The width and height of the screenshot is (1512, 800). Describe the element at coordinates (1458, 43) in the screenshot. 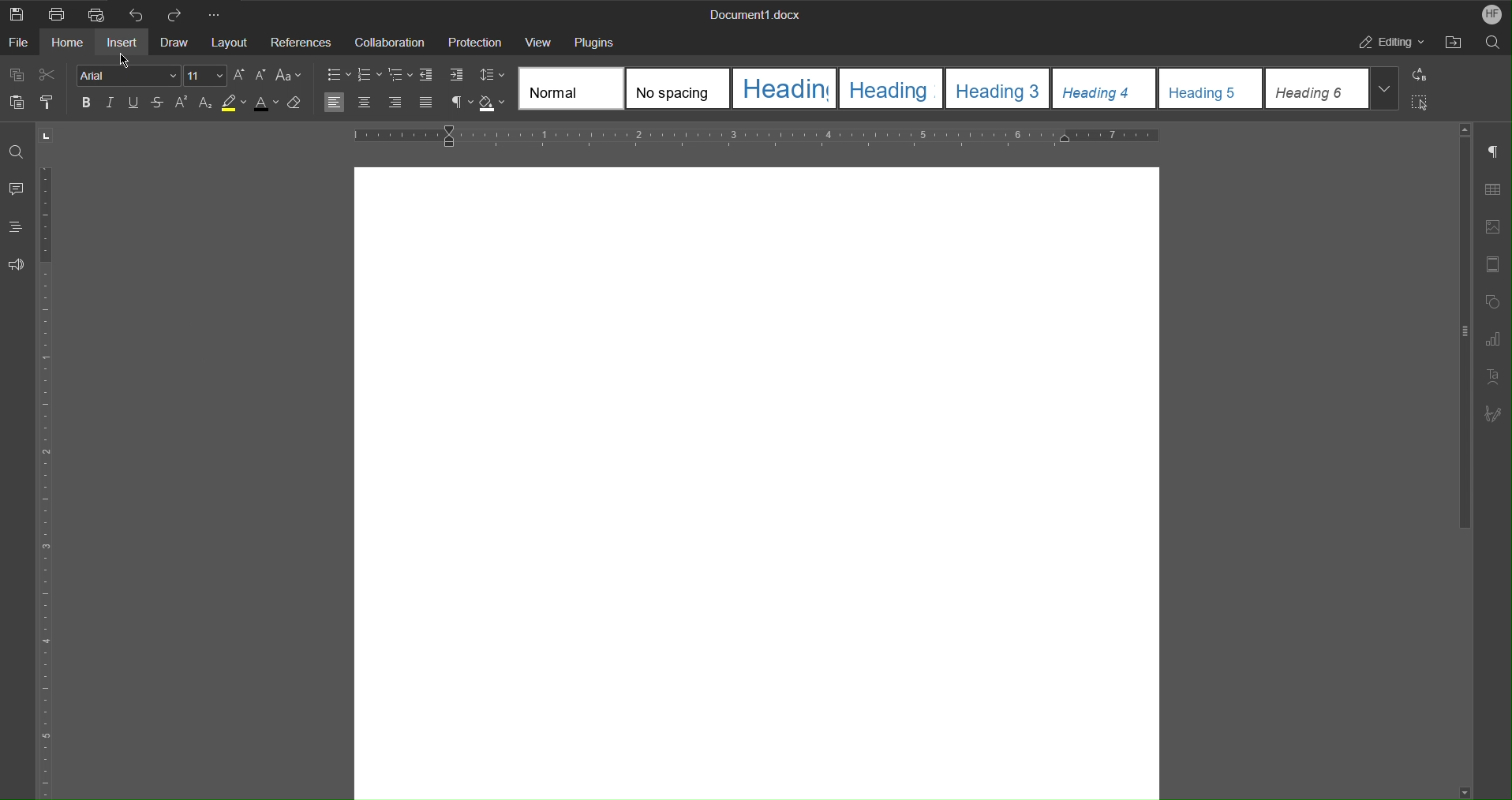

I see `Open File Location` at that location.